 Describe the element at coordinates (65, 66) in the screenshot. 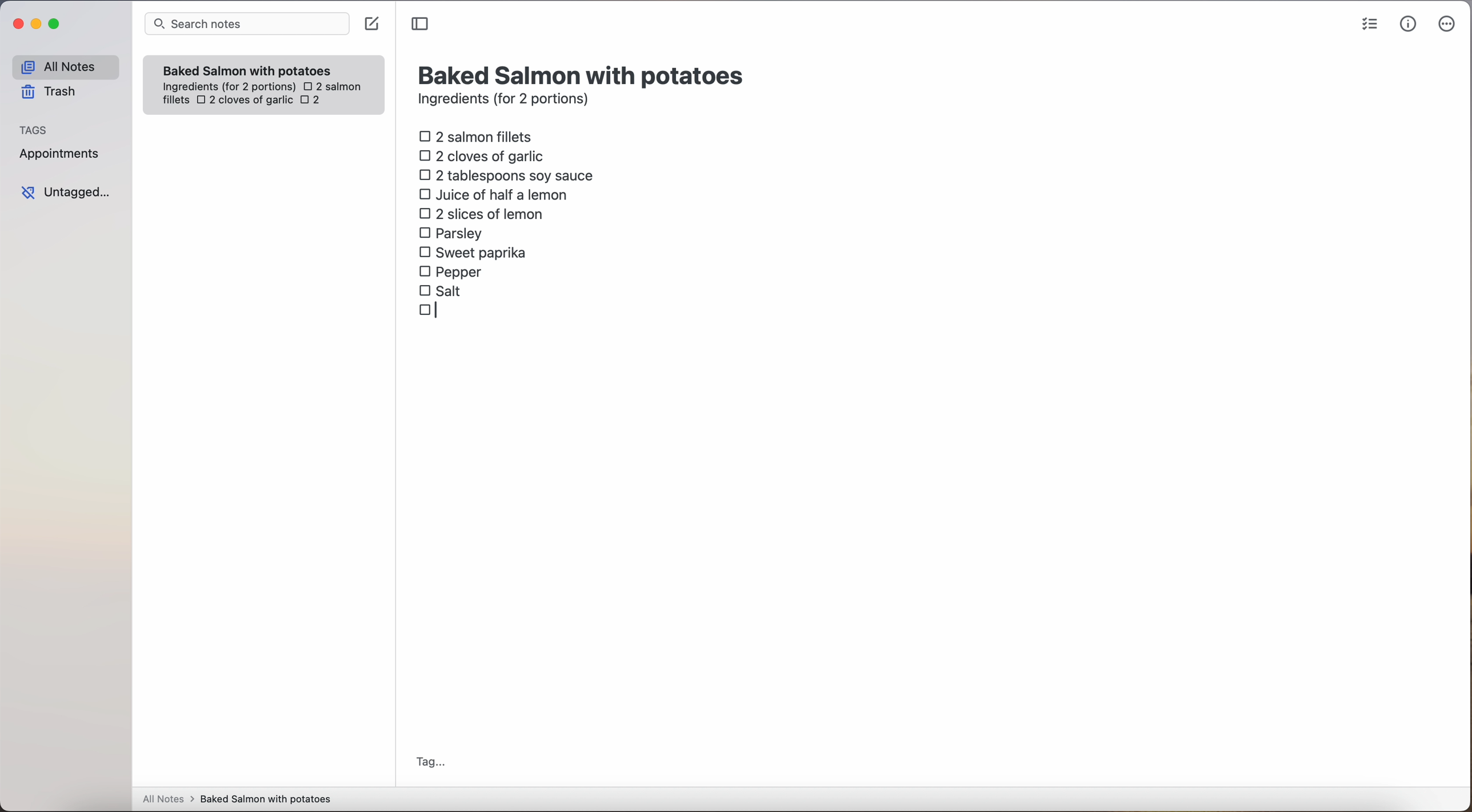

I see `all notes` at that location.